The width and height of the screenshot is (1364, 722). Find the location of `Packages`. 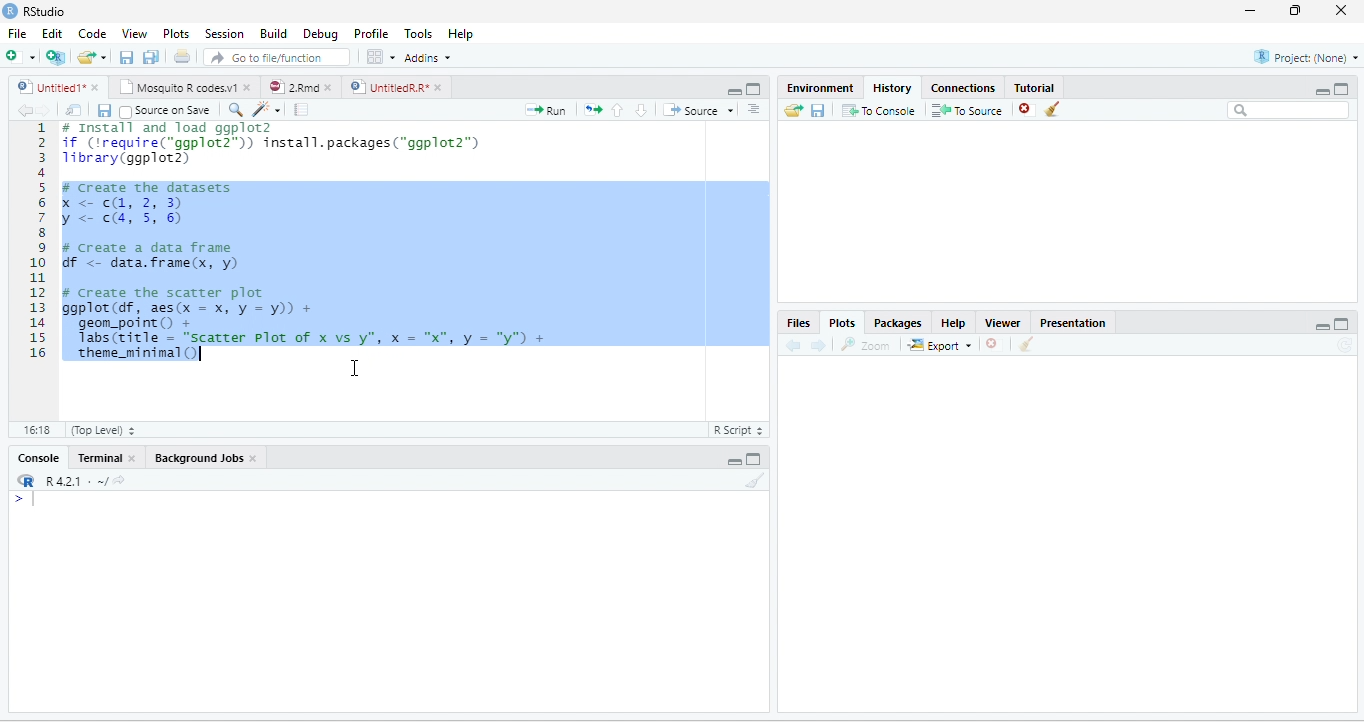

Packages is located at coordinates (896, 322).